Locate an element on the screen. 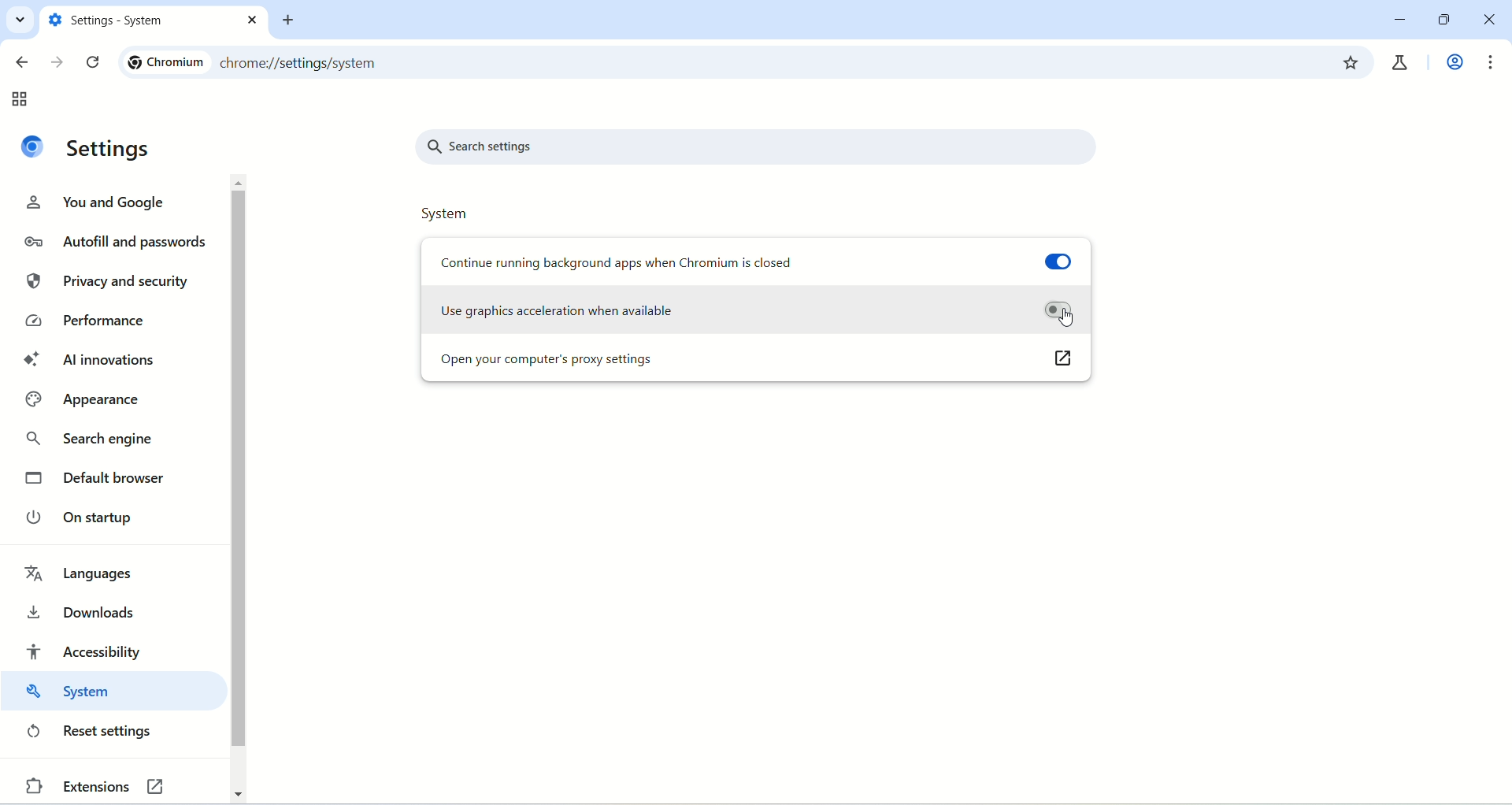  system is located at coordinates (106, 695).